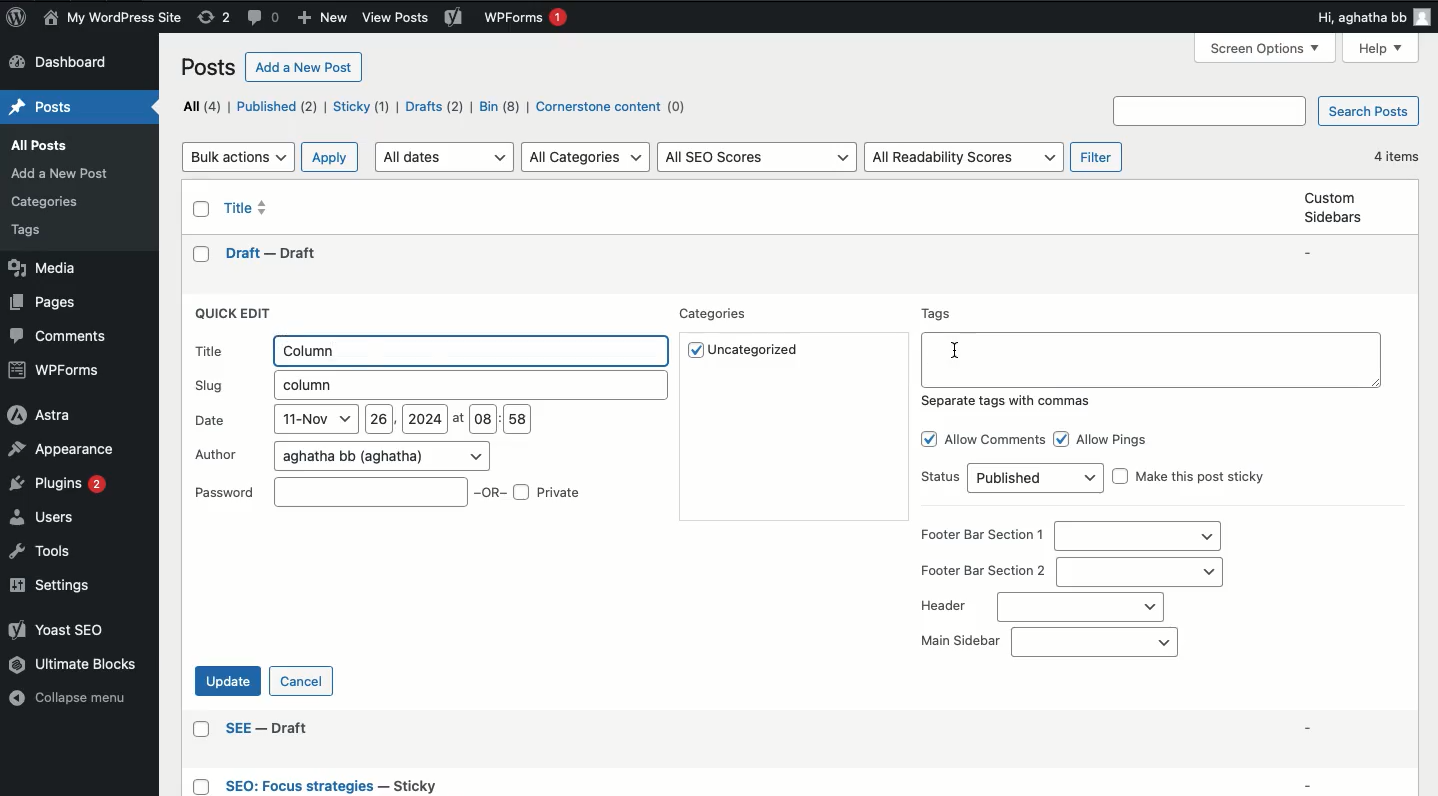 The width and height of the screenshot is (1438, 796). I want to click on Date, so click(225, 419).